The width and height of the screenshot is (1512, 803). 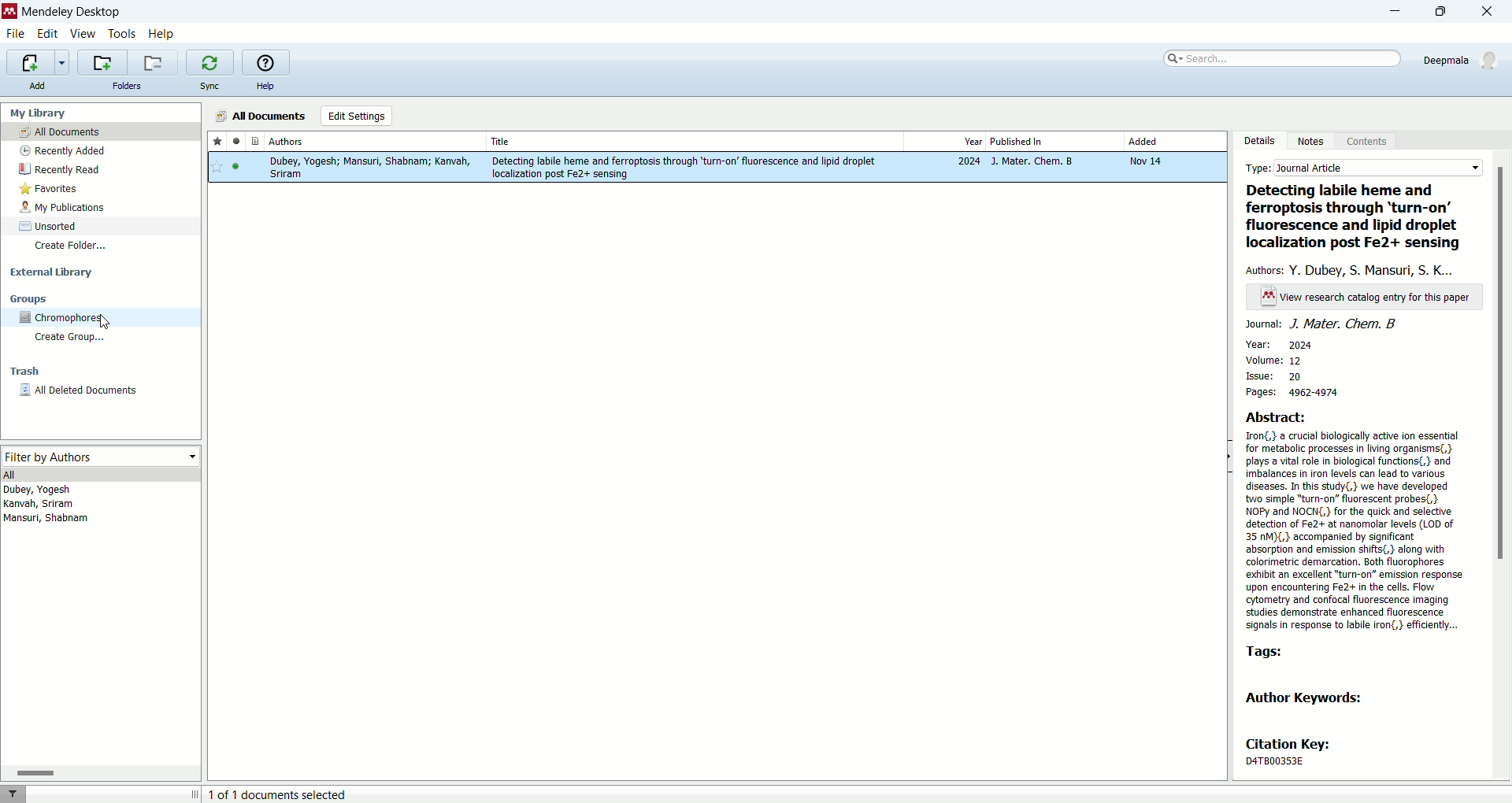 I want to click on synchronize library with mendeley web, so click(x=209, y=63).